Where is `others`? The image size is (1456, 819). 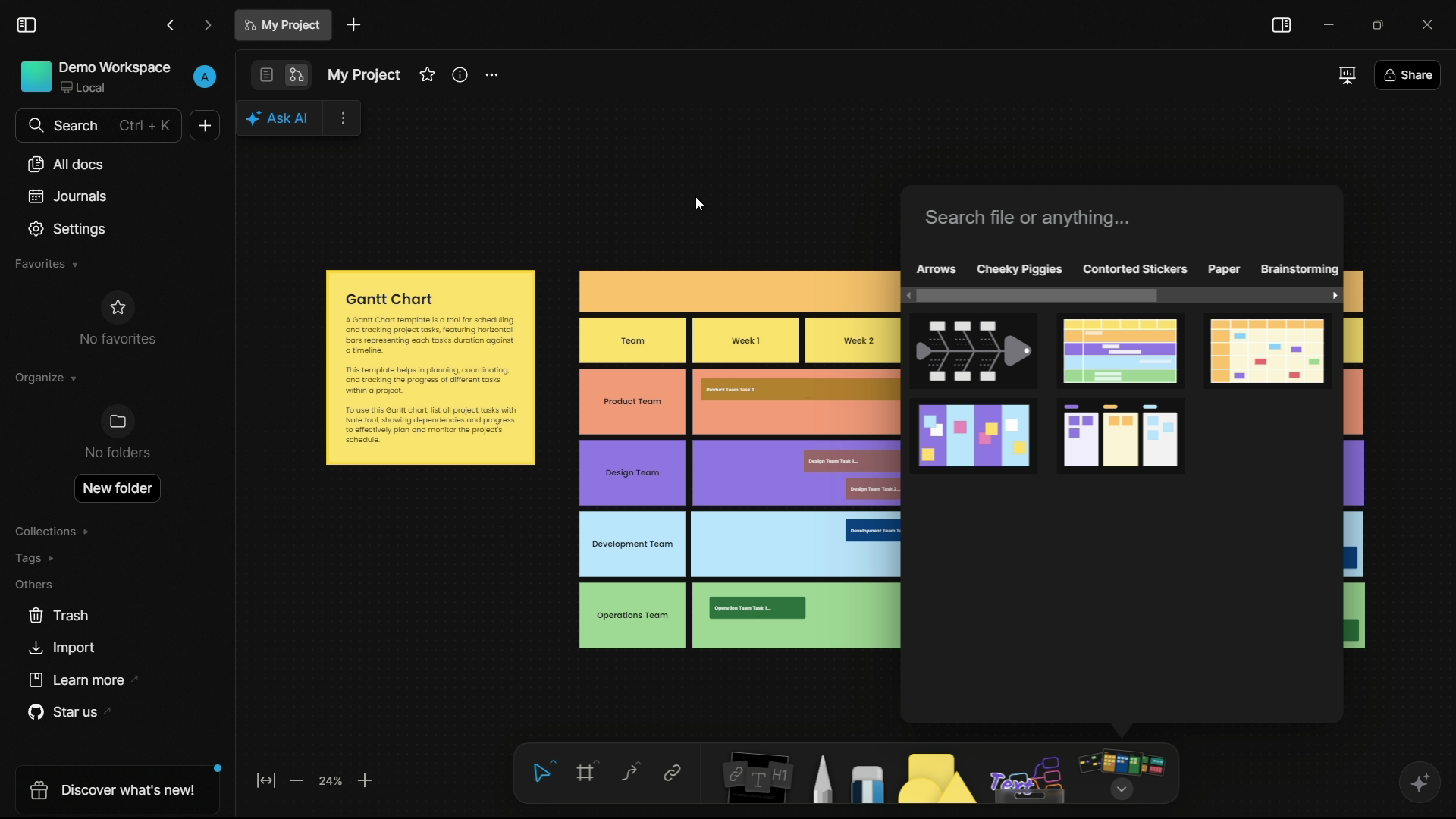
others is located at coordinates (1027, 777).